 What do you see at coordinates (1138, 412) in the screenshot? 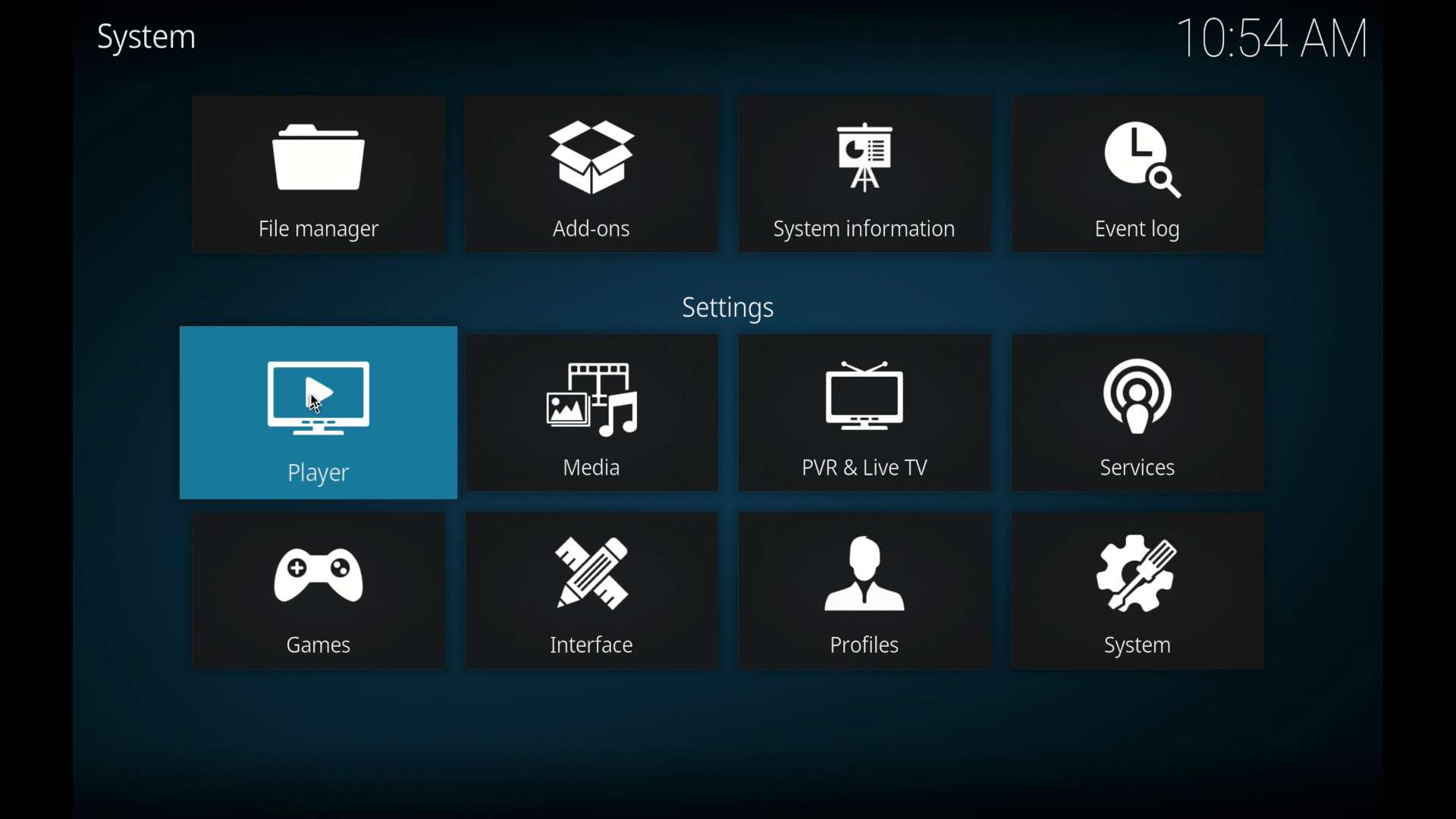
I see `services` at bounding box center [1138, 412].